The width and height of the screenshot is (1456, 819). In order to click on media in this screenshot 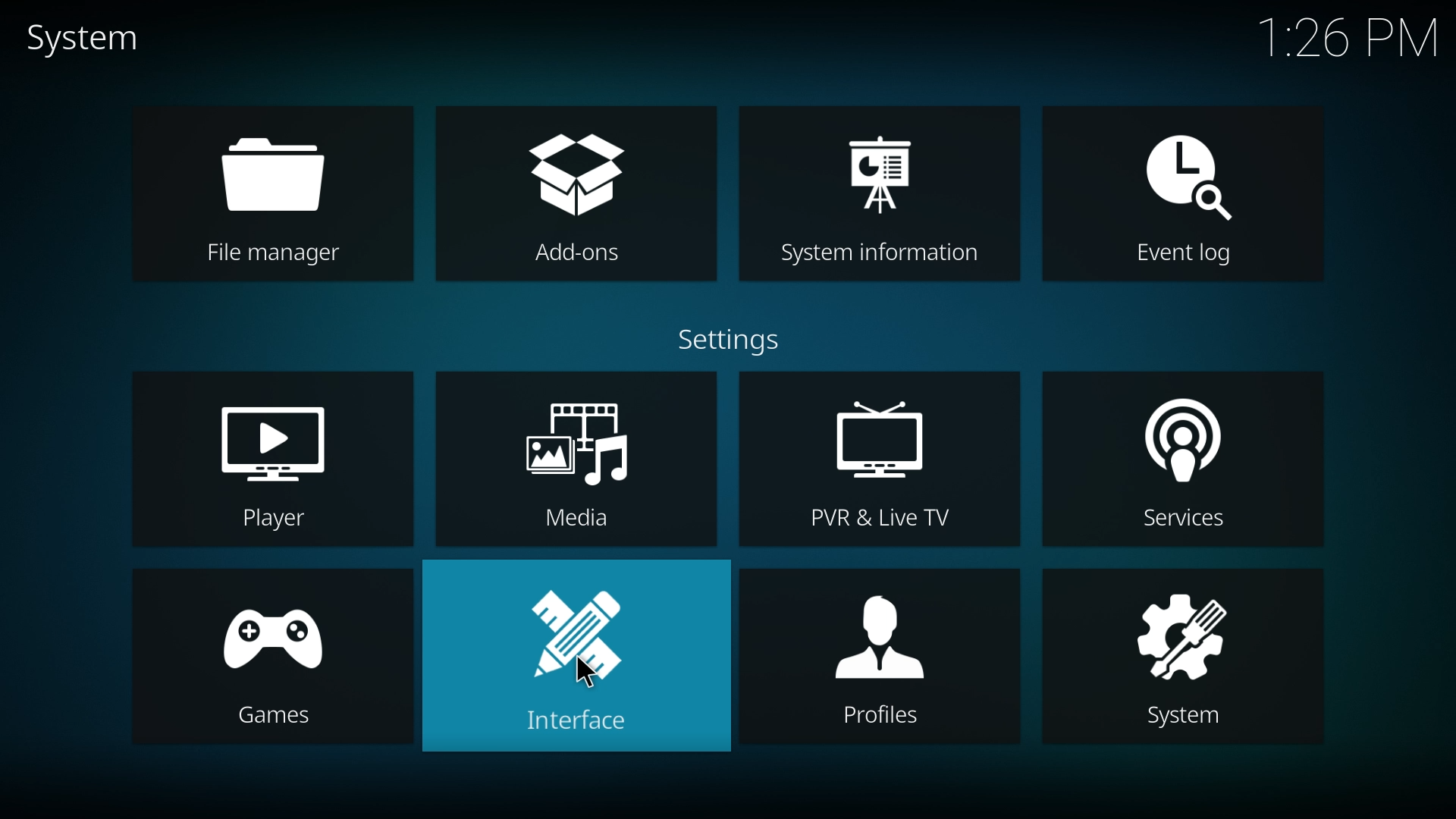, I will do `click(575, 459)`.